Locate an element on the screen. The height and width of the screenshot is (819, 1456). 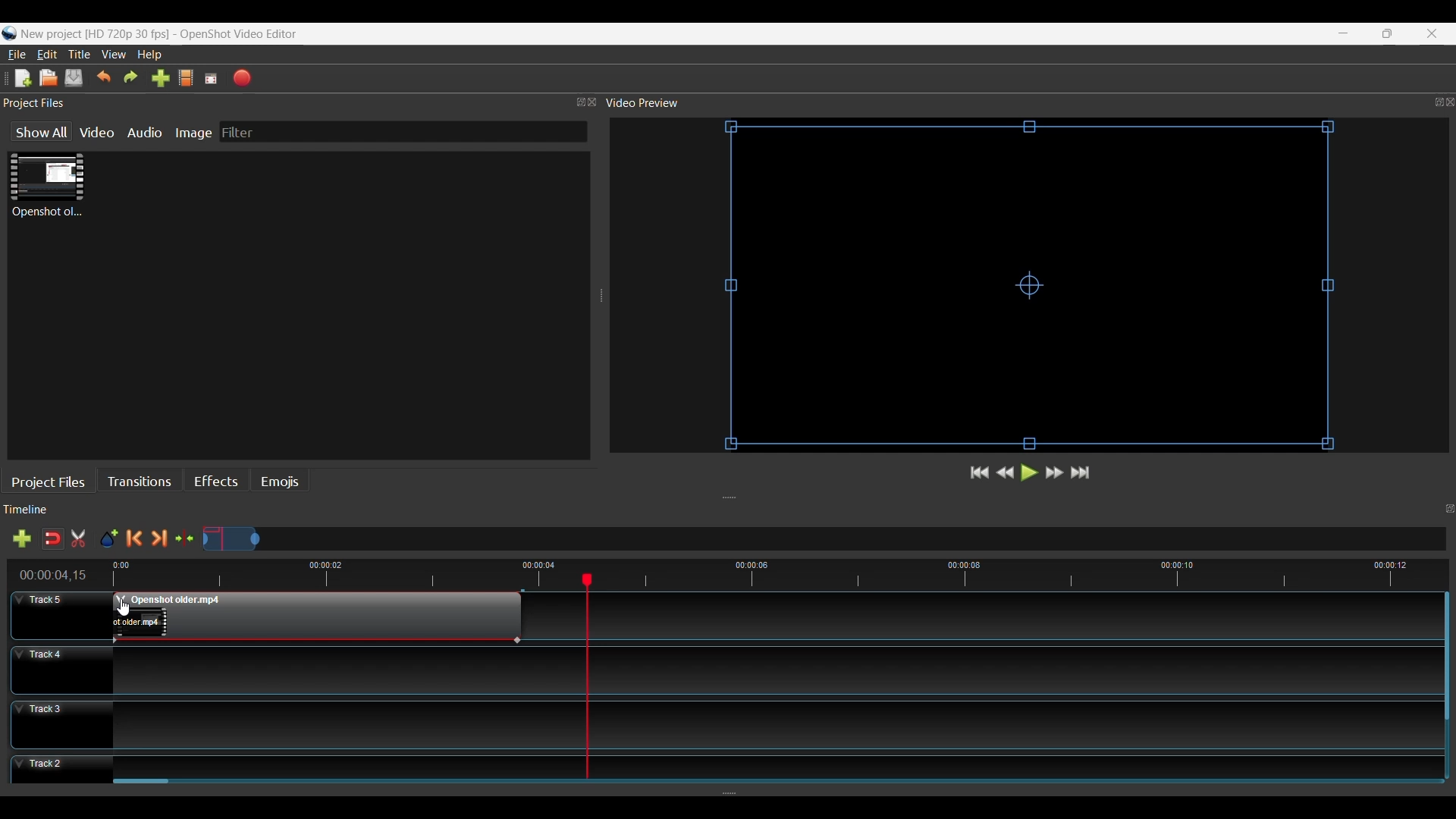
Zoom Slider is located at coordinates (825, 540).